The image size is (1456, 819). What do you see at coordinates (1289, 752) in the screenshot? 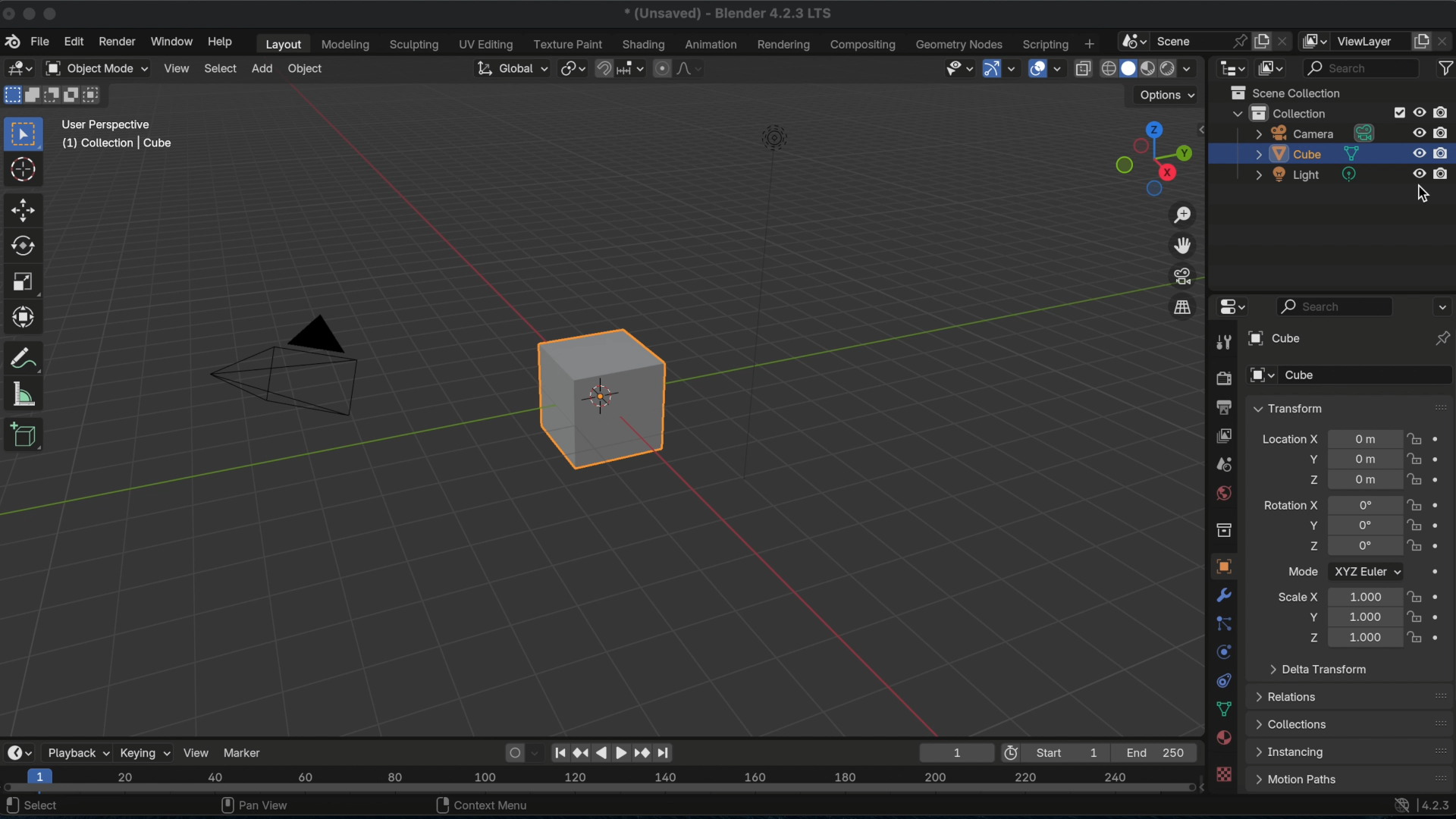
I see `instancing` at bounding box center [1289, 752].